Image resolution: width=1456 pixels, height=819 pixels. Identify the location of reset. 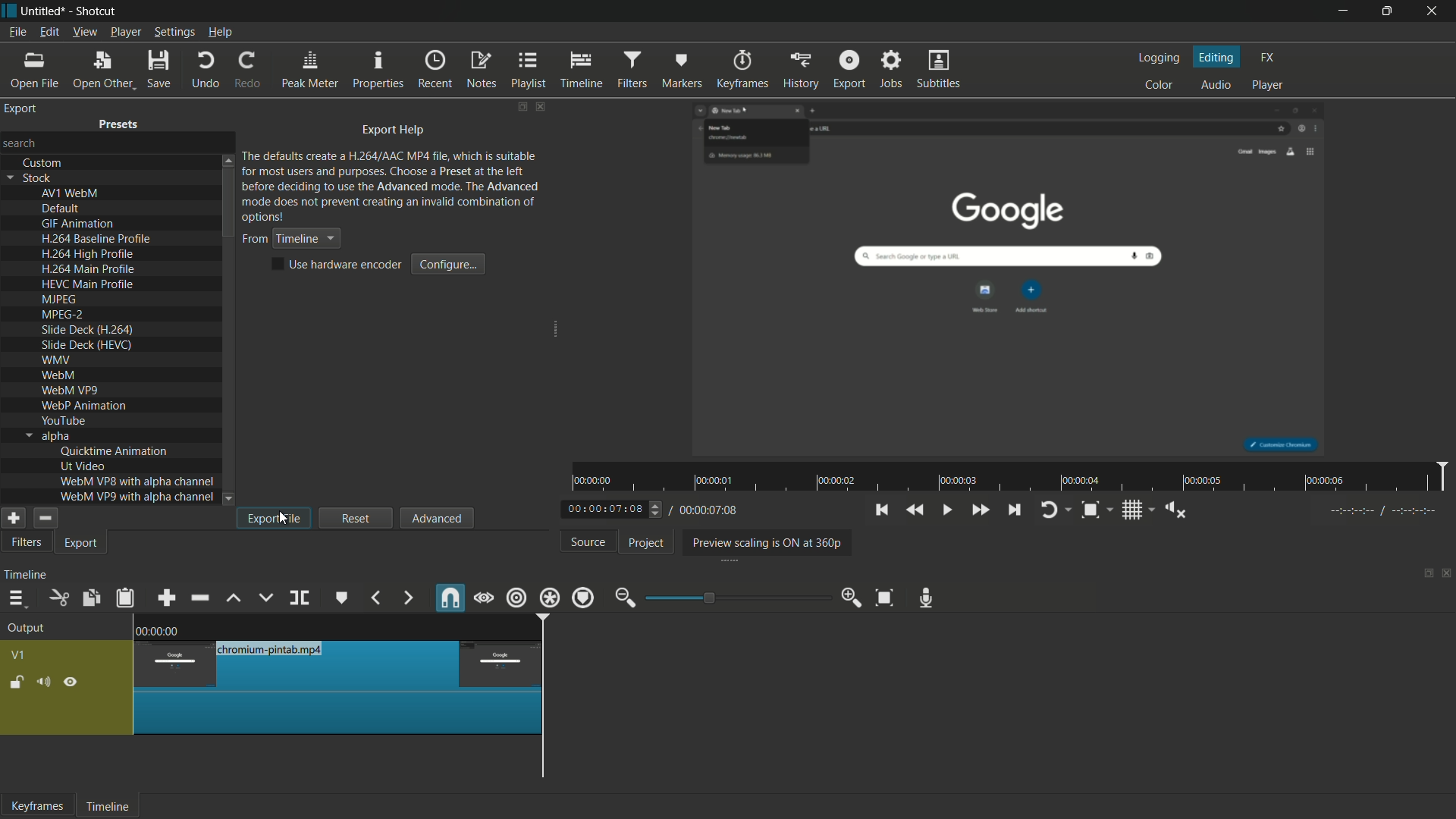
(356, 518).